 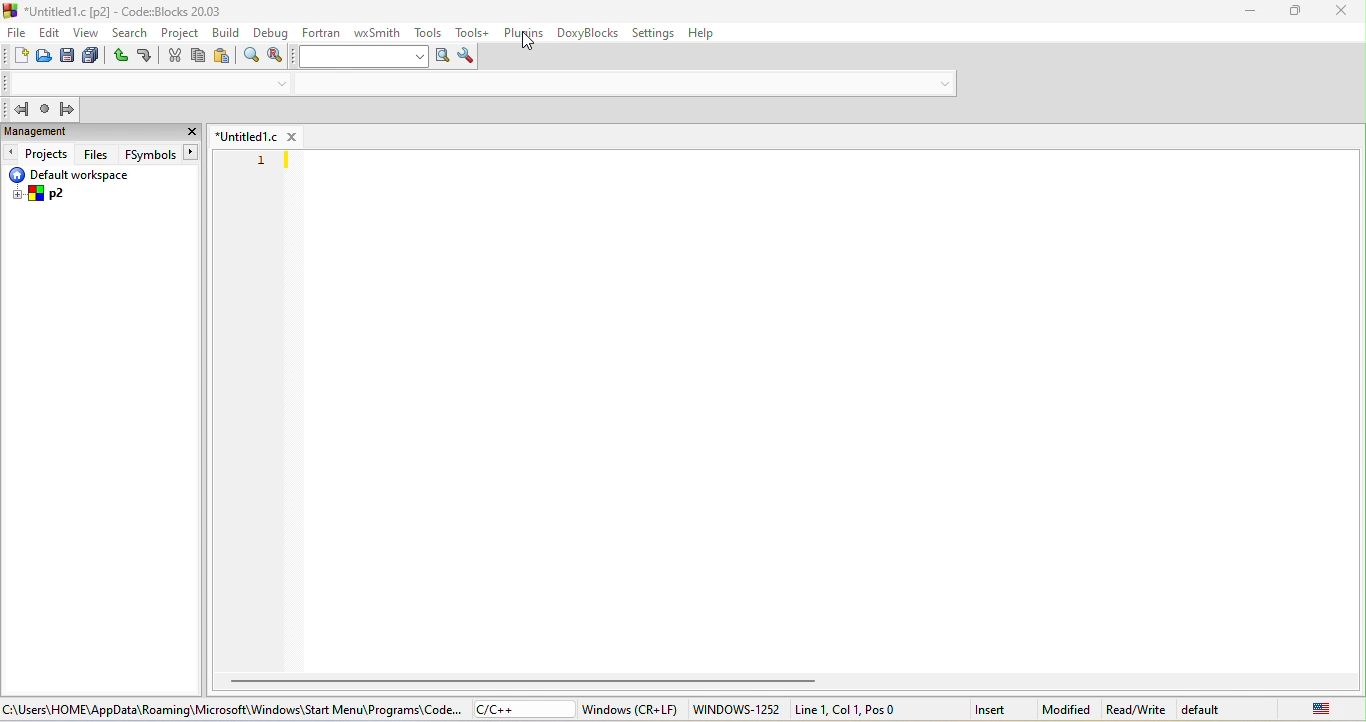 What do you see at coordinates (467, 60) in the screenshot?
I see `show option window` at bounding box center [467, 60].